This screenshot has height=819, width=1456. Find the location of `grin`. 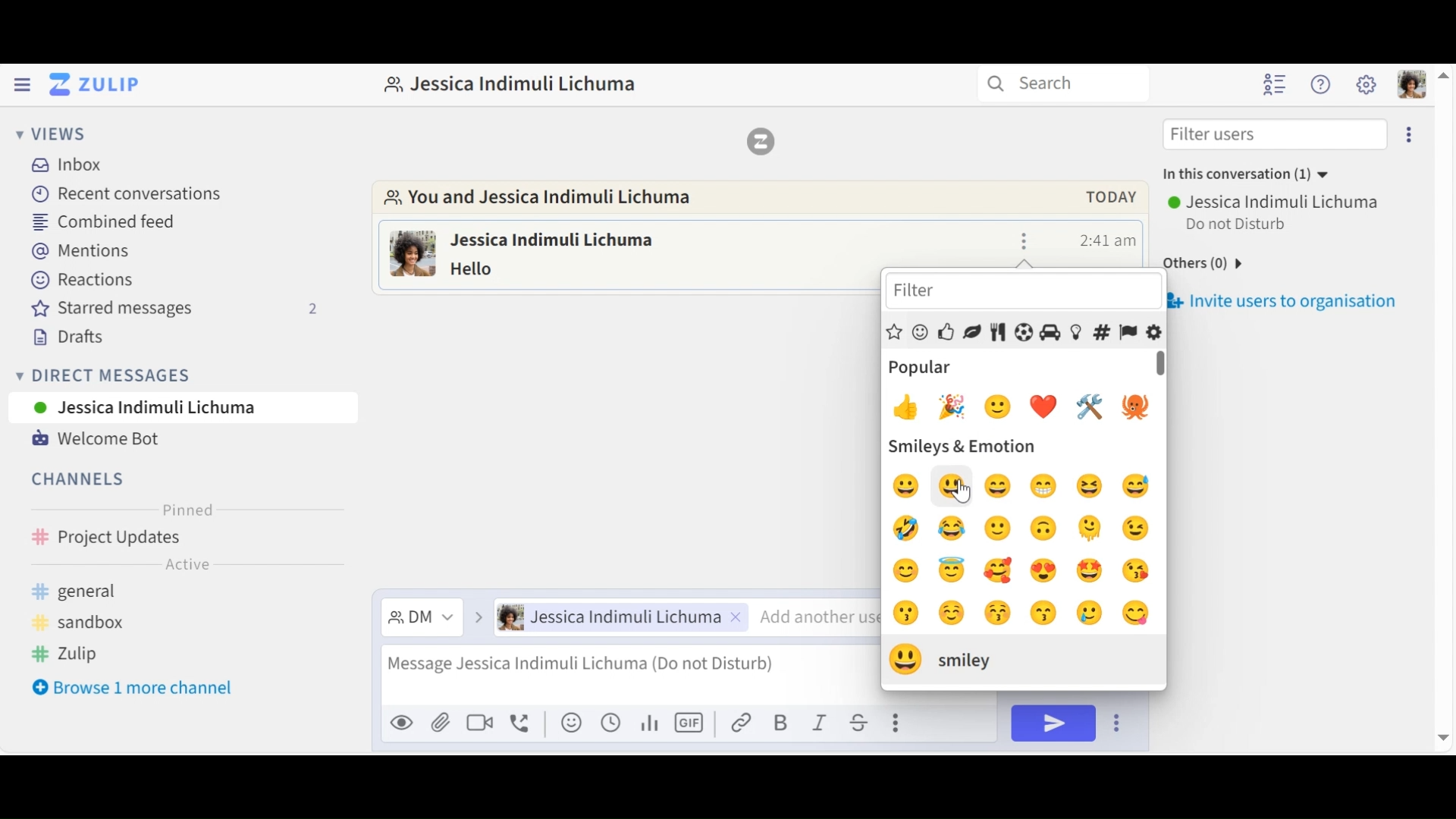

grin is located at coordinates (1050, 488).